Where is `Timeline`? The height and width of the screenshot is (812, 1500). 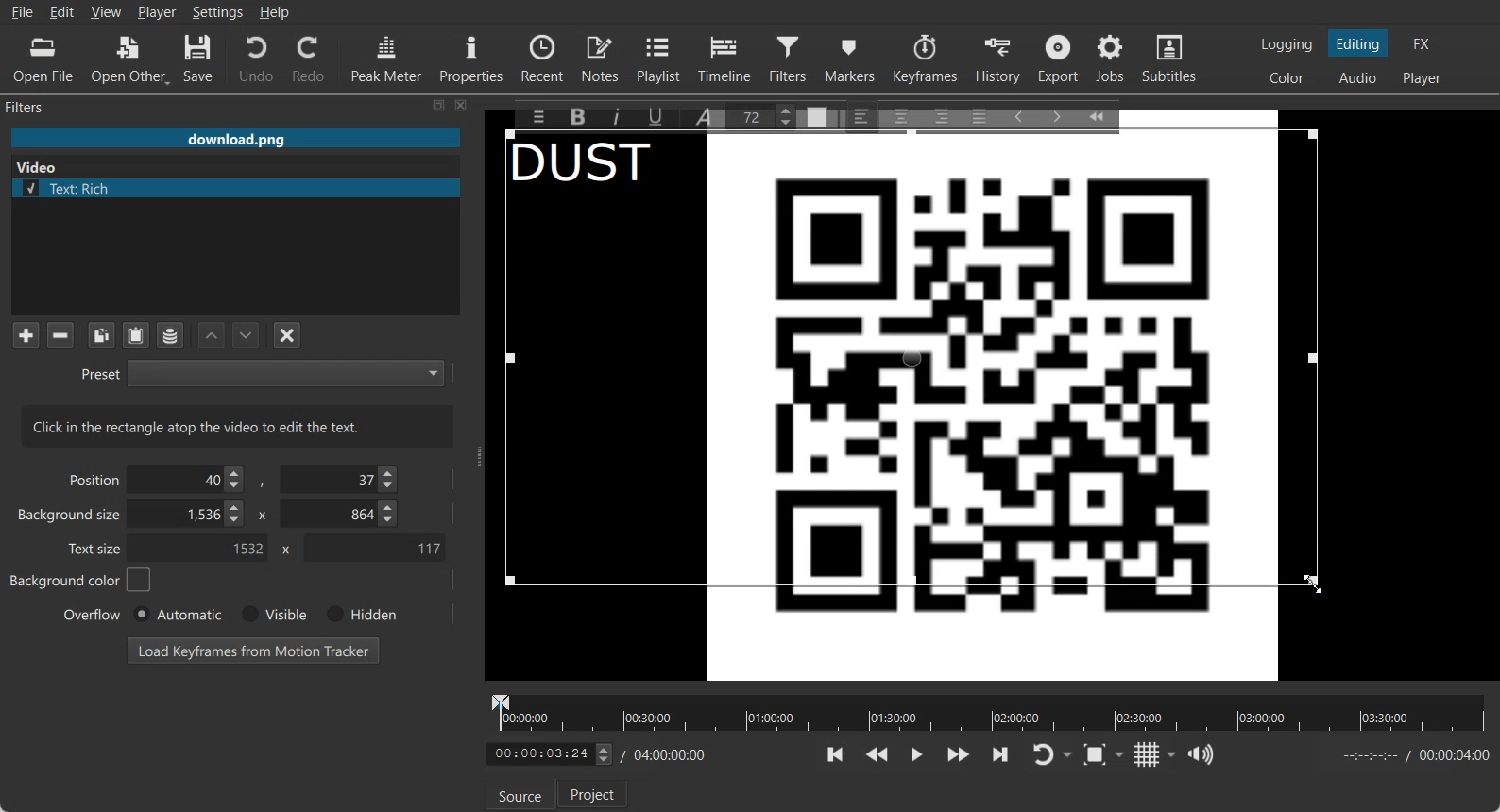 Timeline is located at coordinates (725, 58).